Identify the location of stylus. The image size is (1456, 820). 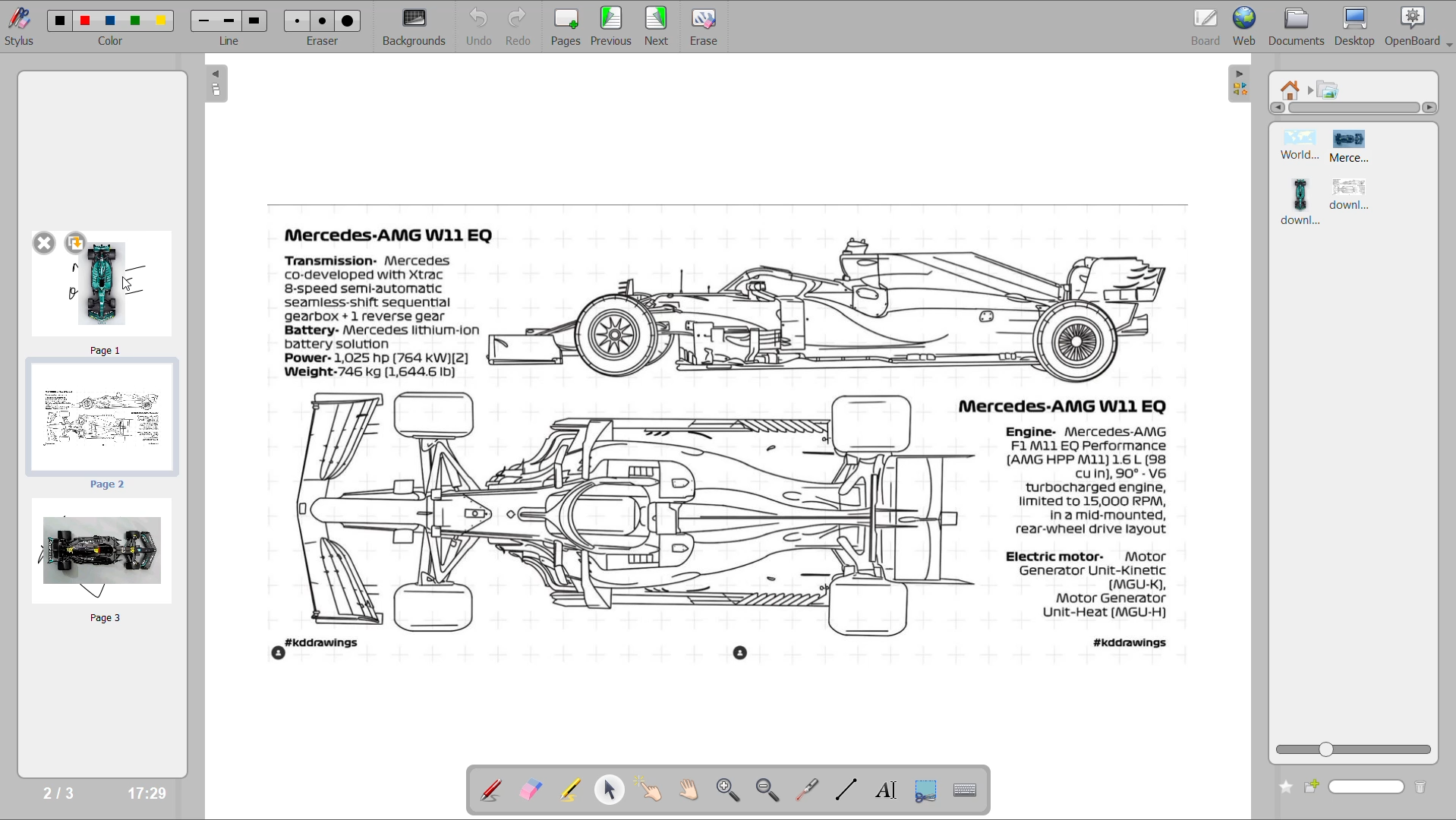
(20, 32).